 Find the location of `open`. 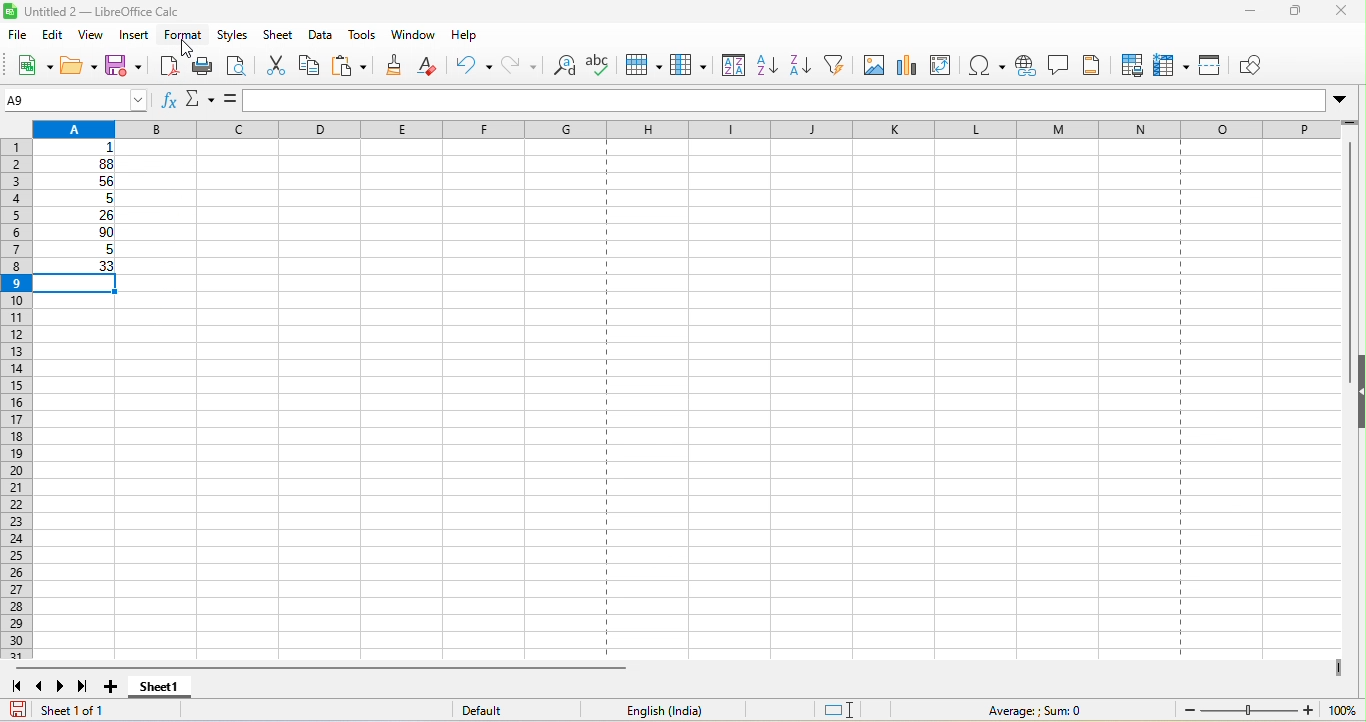

open is located at coordinates (80, 67).